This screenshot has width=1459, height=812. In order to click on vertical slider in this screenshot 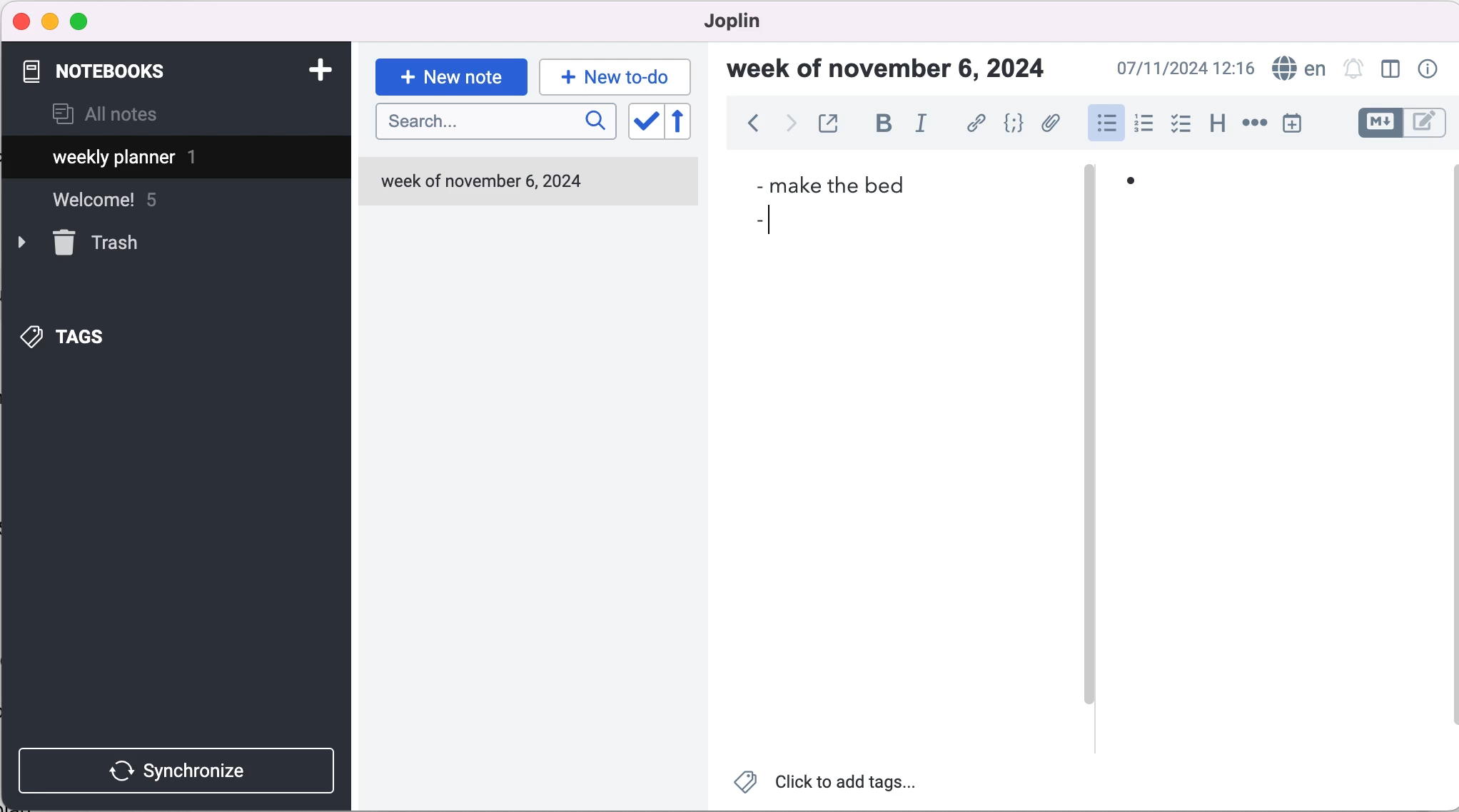, I will do `click(1089, 437)`.